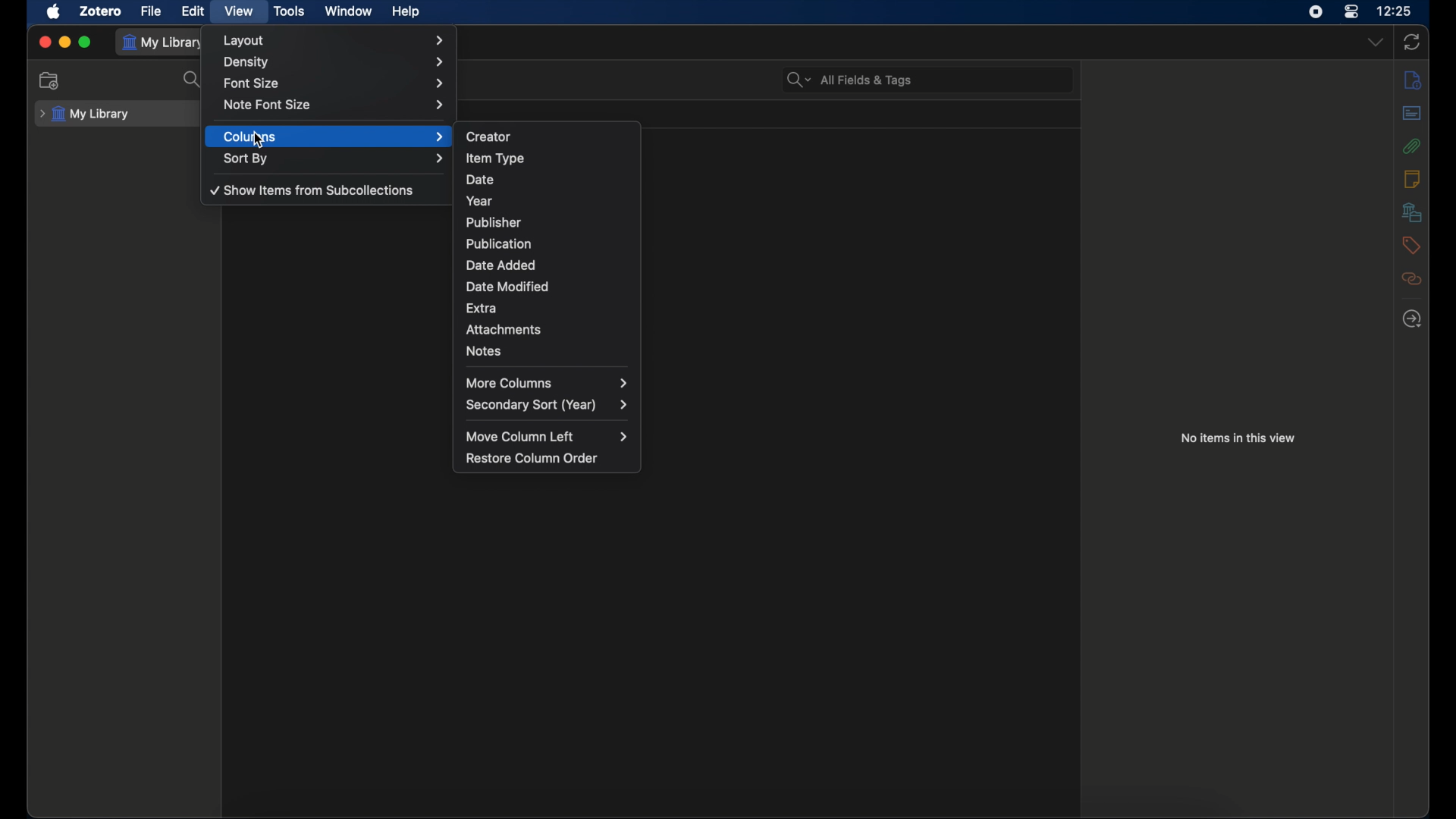  What do you see at coordinates (508, 287) in the screenshot?
I see `date modified` at bounding box center [508, 287].